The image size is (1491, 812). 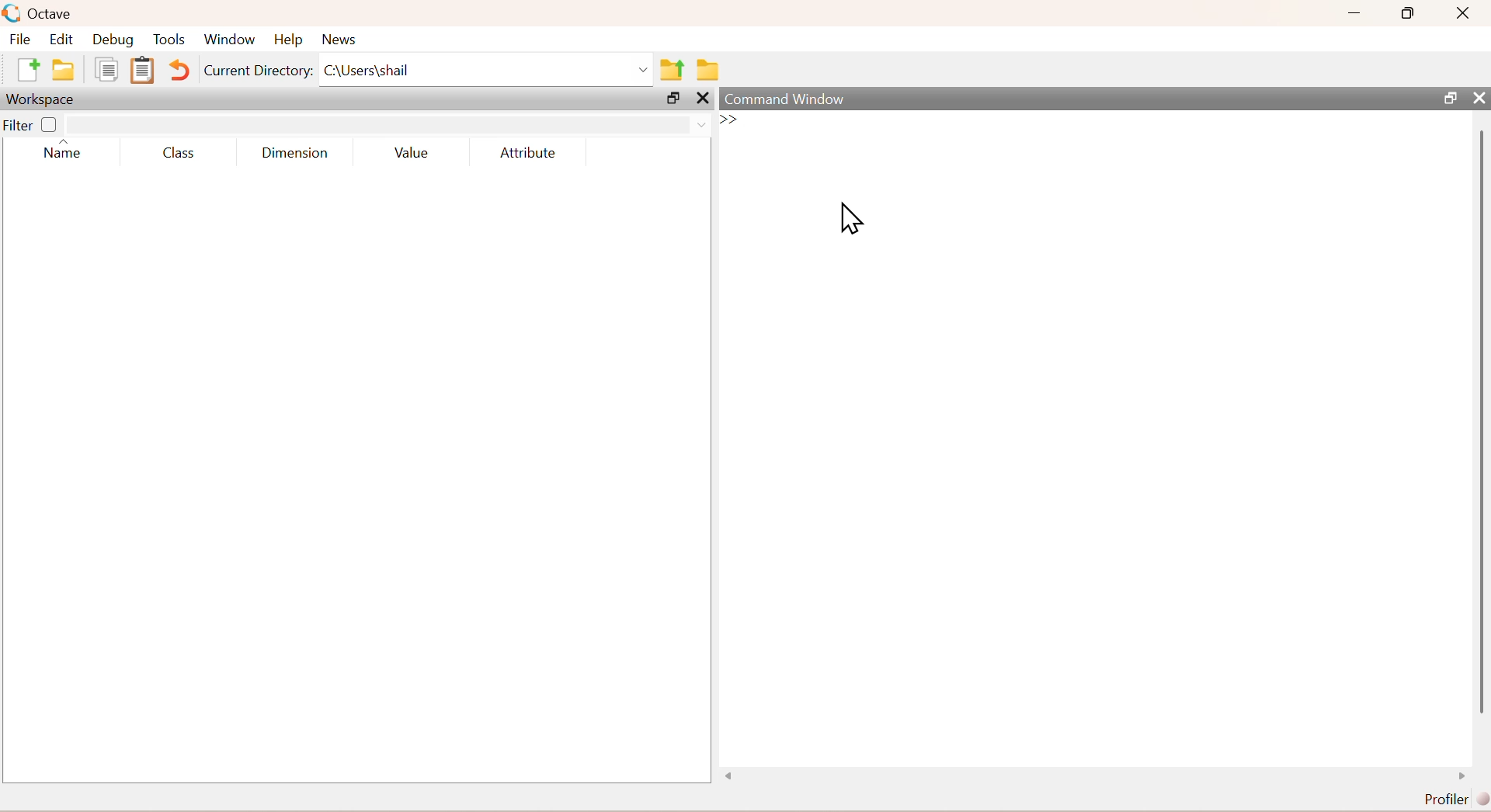 I want to click on C\Users\shail, so click(x=367, y=70).